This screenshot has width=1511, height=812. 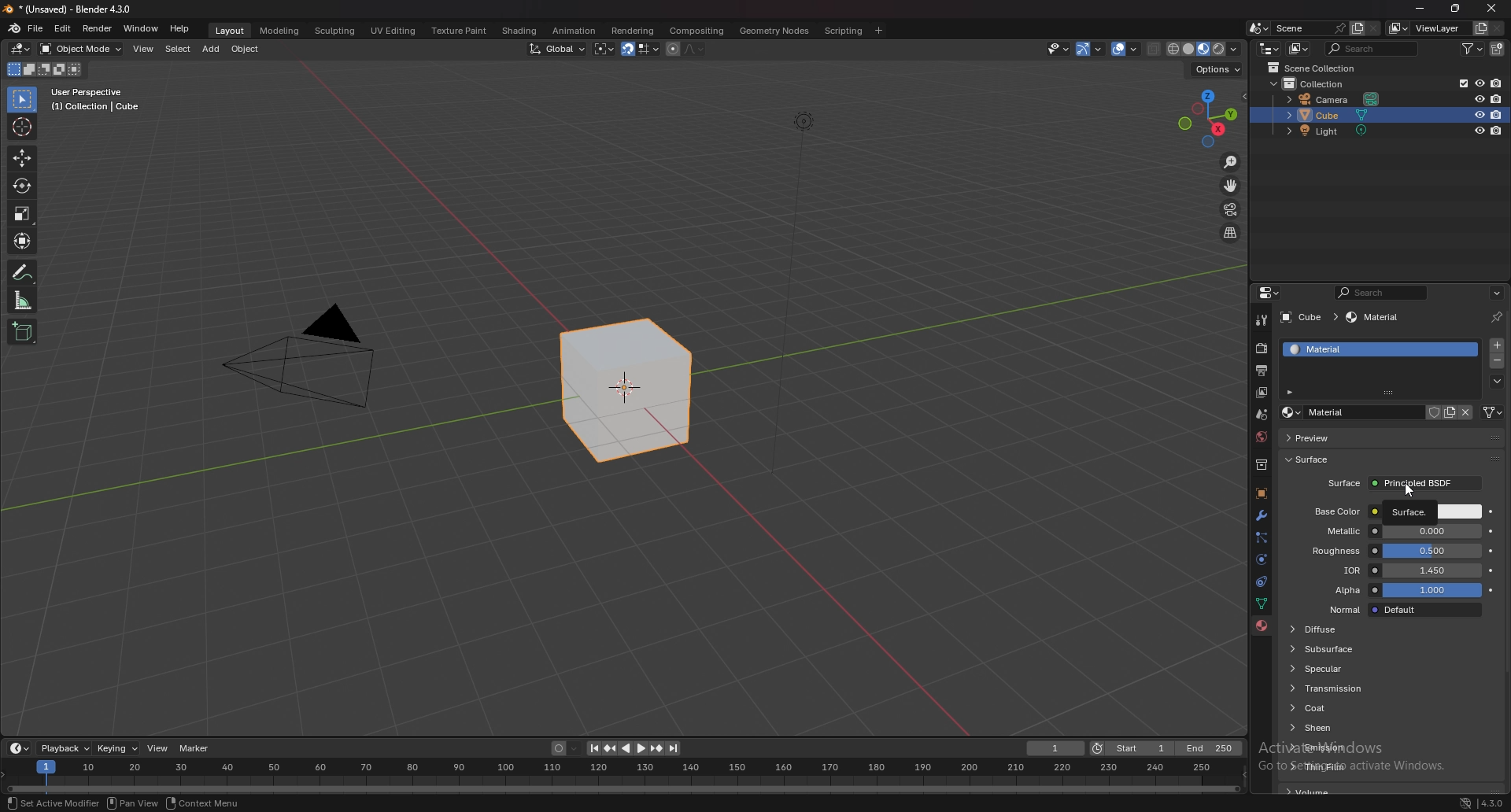 I want to click on metallic, so click(x=1396, y=531).